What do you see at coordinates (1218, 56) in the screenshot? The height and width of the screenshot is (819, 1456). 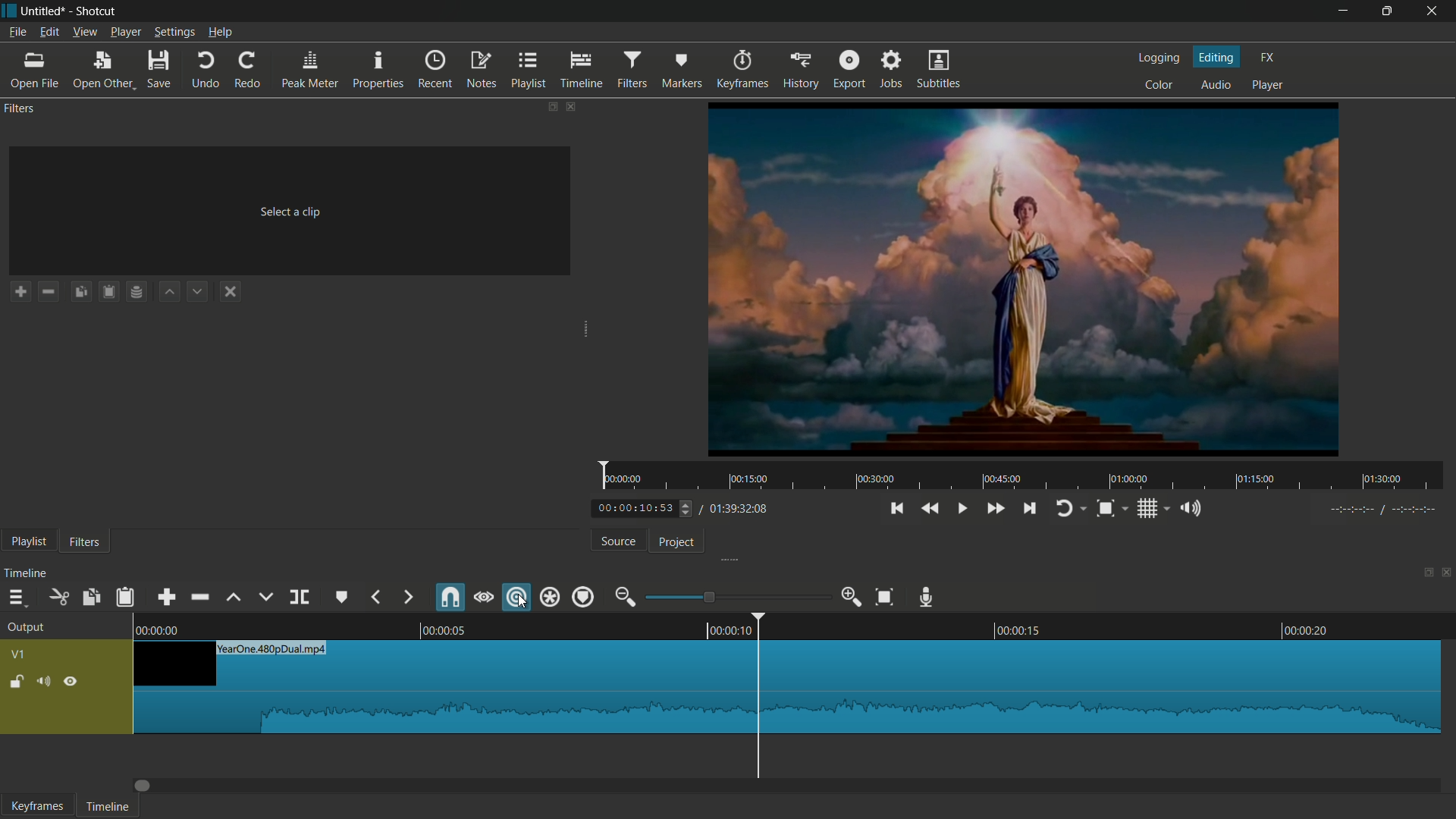 I see `editing` at bounding box center [1218, 56].